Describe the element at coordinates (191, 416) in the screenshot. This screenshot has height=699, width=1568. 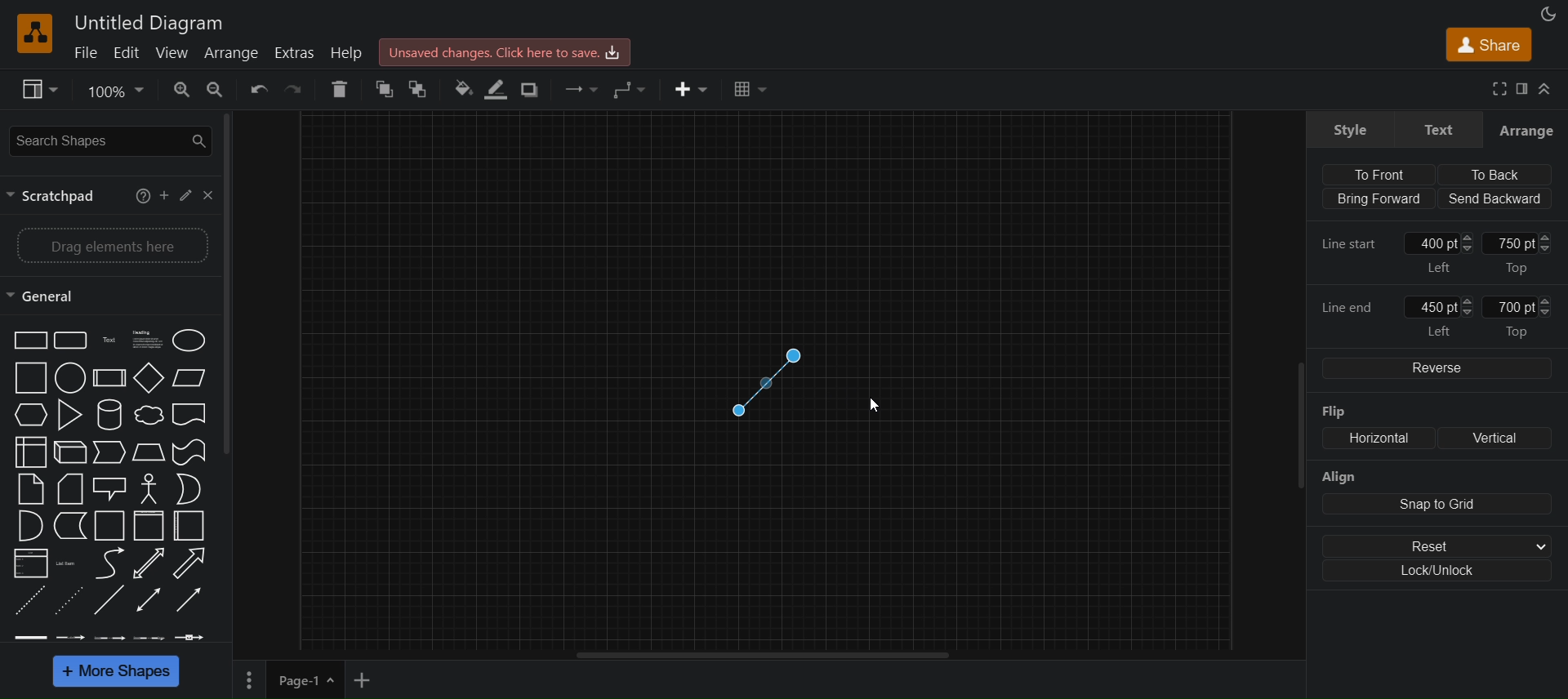
I see `Document` at that location.